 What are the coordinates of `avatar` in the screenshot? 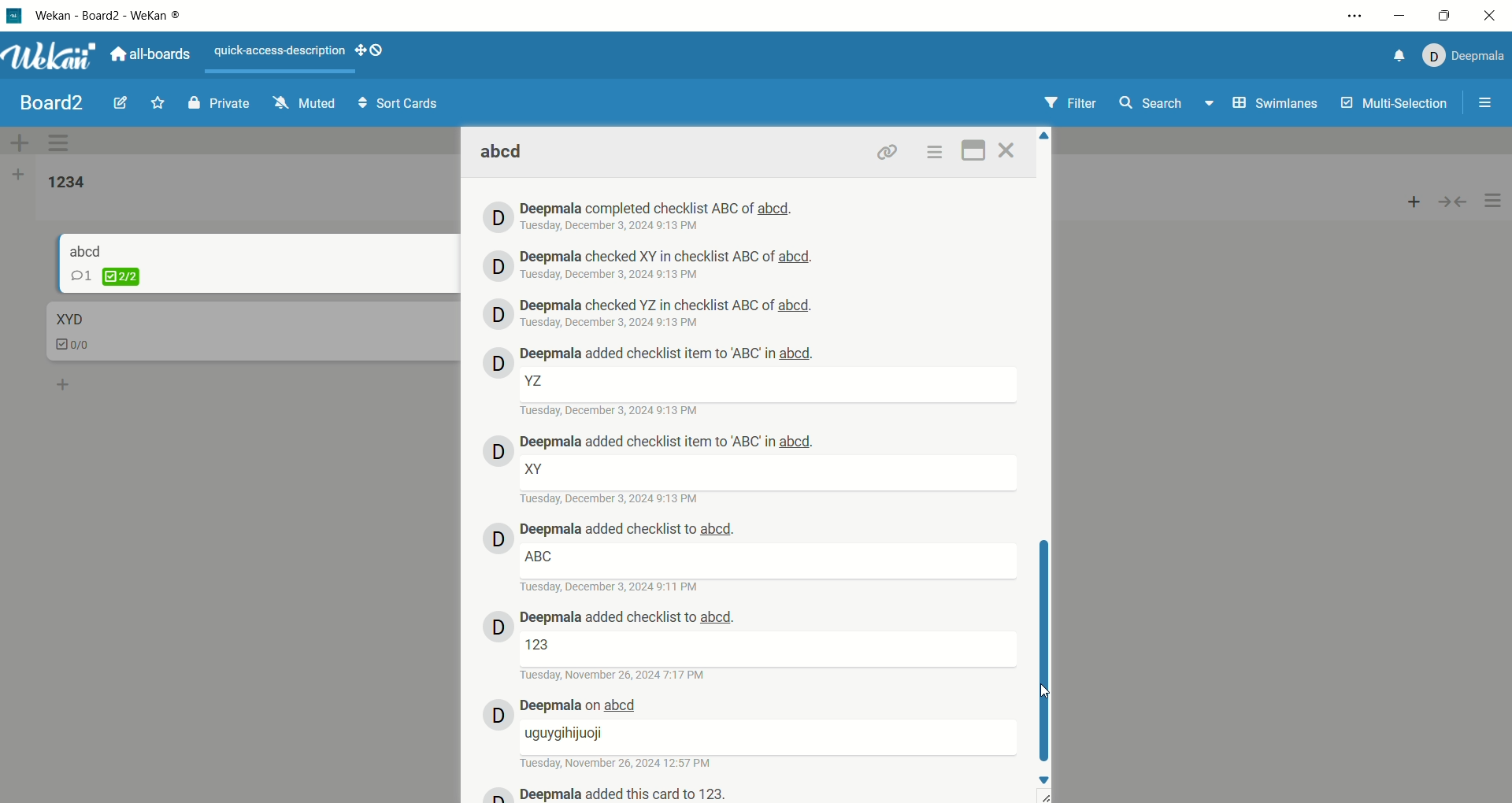 It's located at (498, 628).